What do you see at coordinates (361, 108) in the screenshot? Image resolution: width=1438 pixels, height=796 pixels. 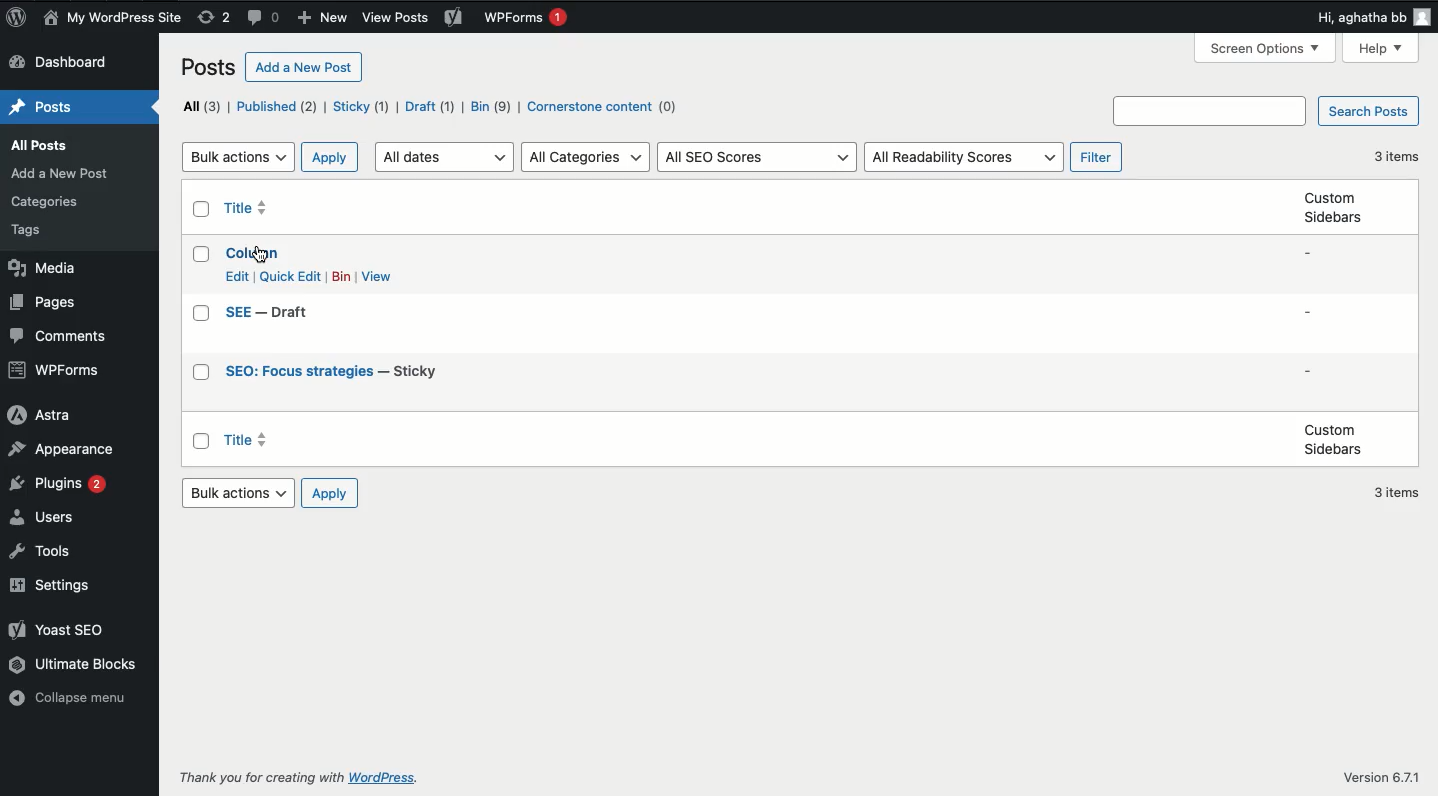 I see `Sticky` at bounding box center [361, 108].